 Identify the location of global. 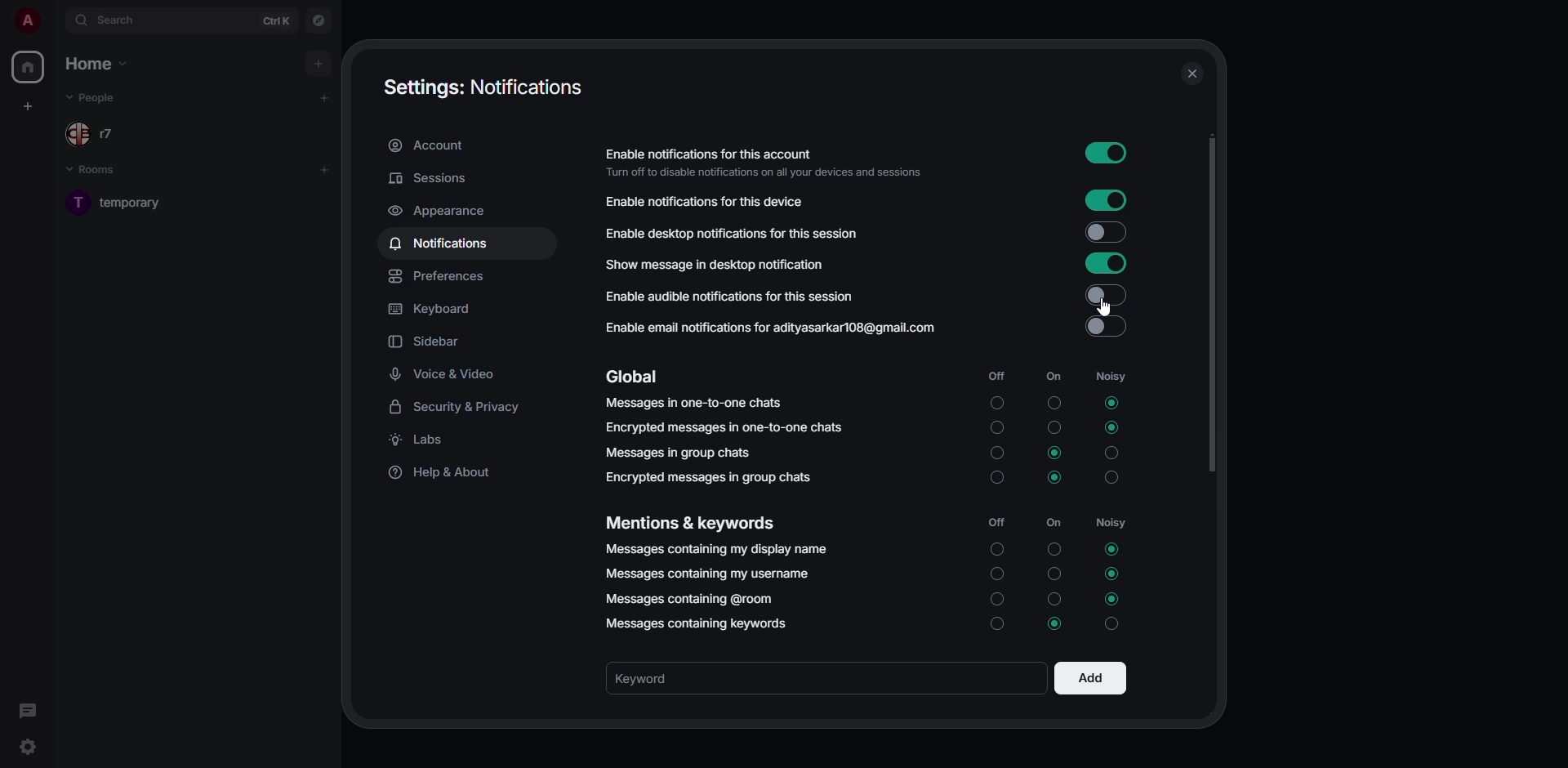
(633, 377).